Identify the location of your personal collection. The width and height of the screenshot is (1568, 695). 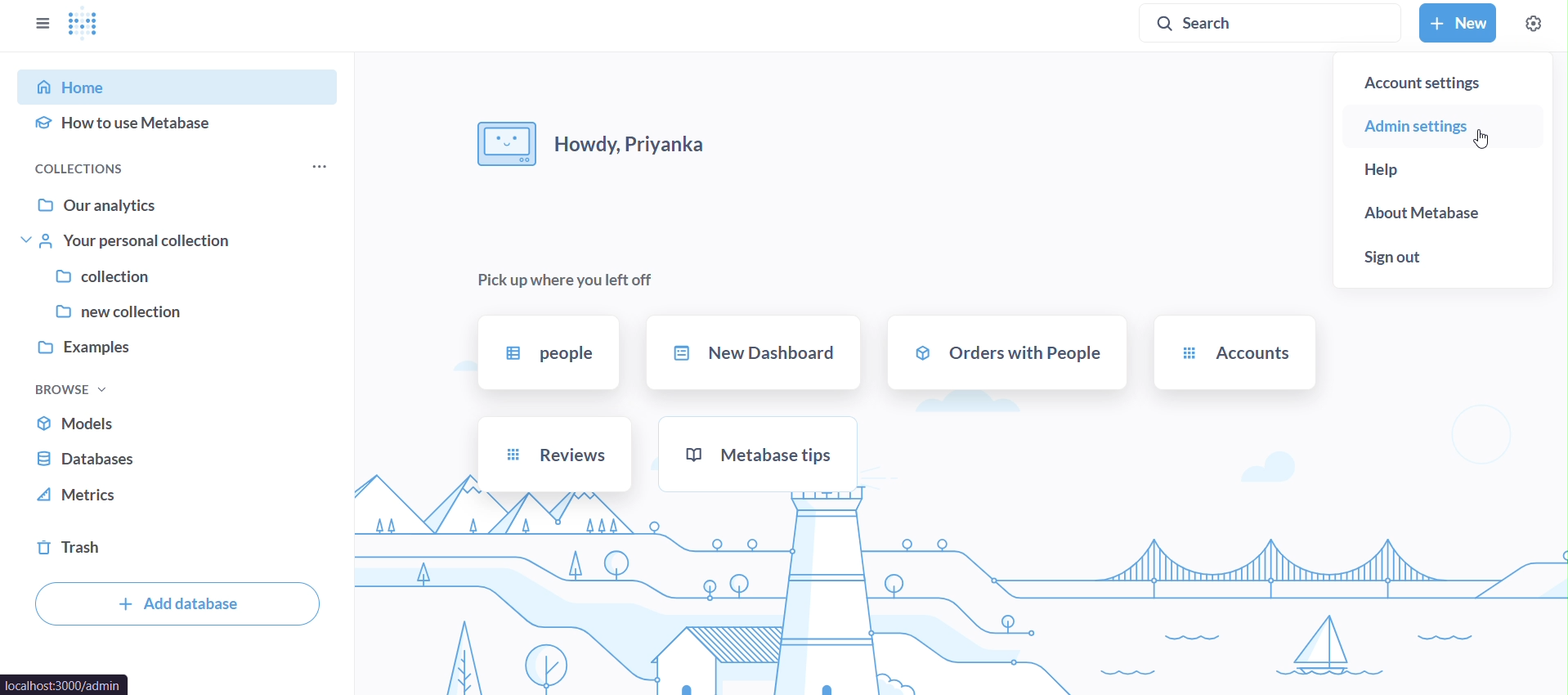
(180, 240).